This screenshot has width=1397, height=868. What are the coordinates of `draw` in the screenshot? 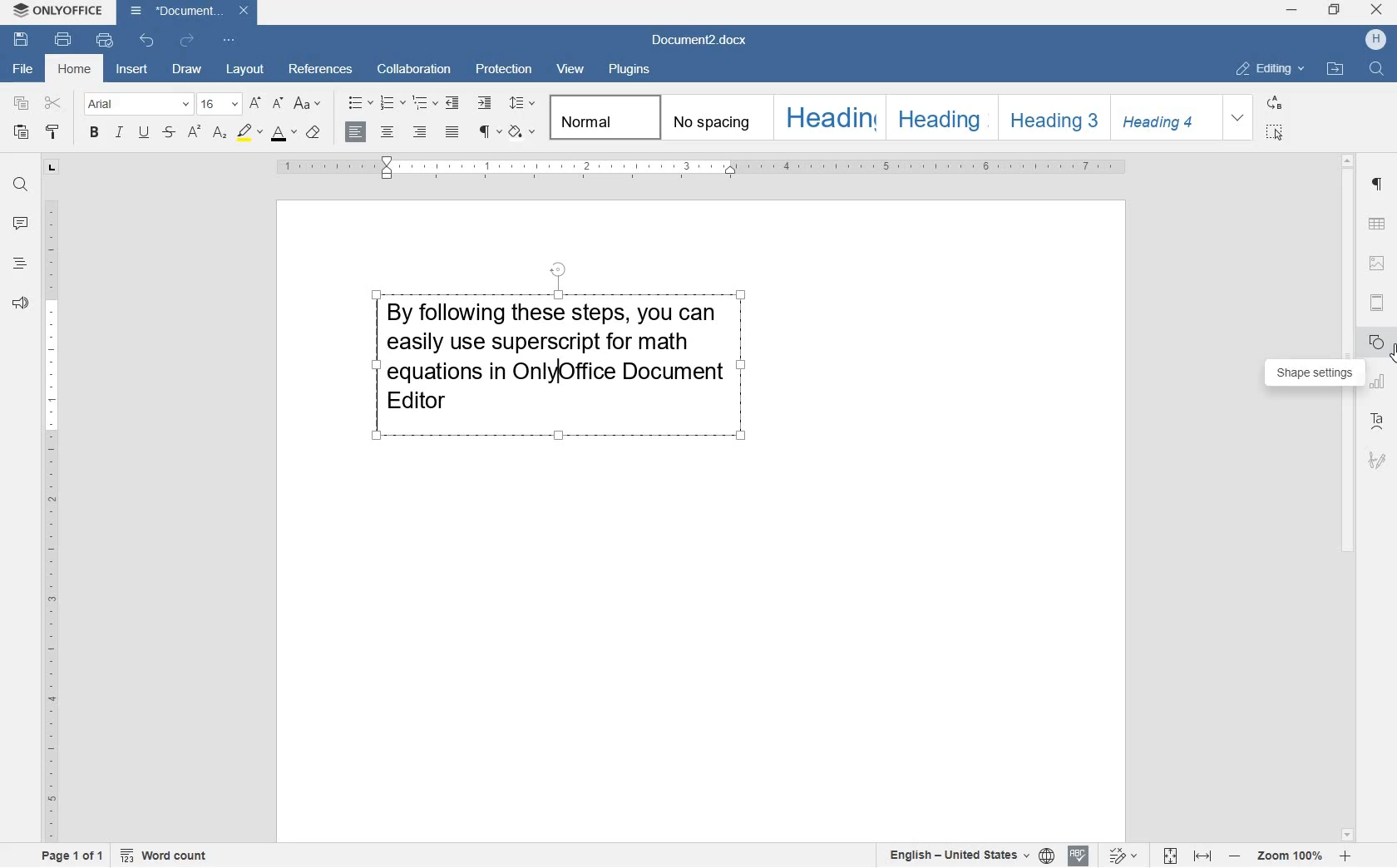 It's located at (187, 72).